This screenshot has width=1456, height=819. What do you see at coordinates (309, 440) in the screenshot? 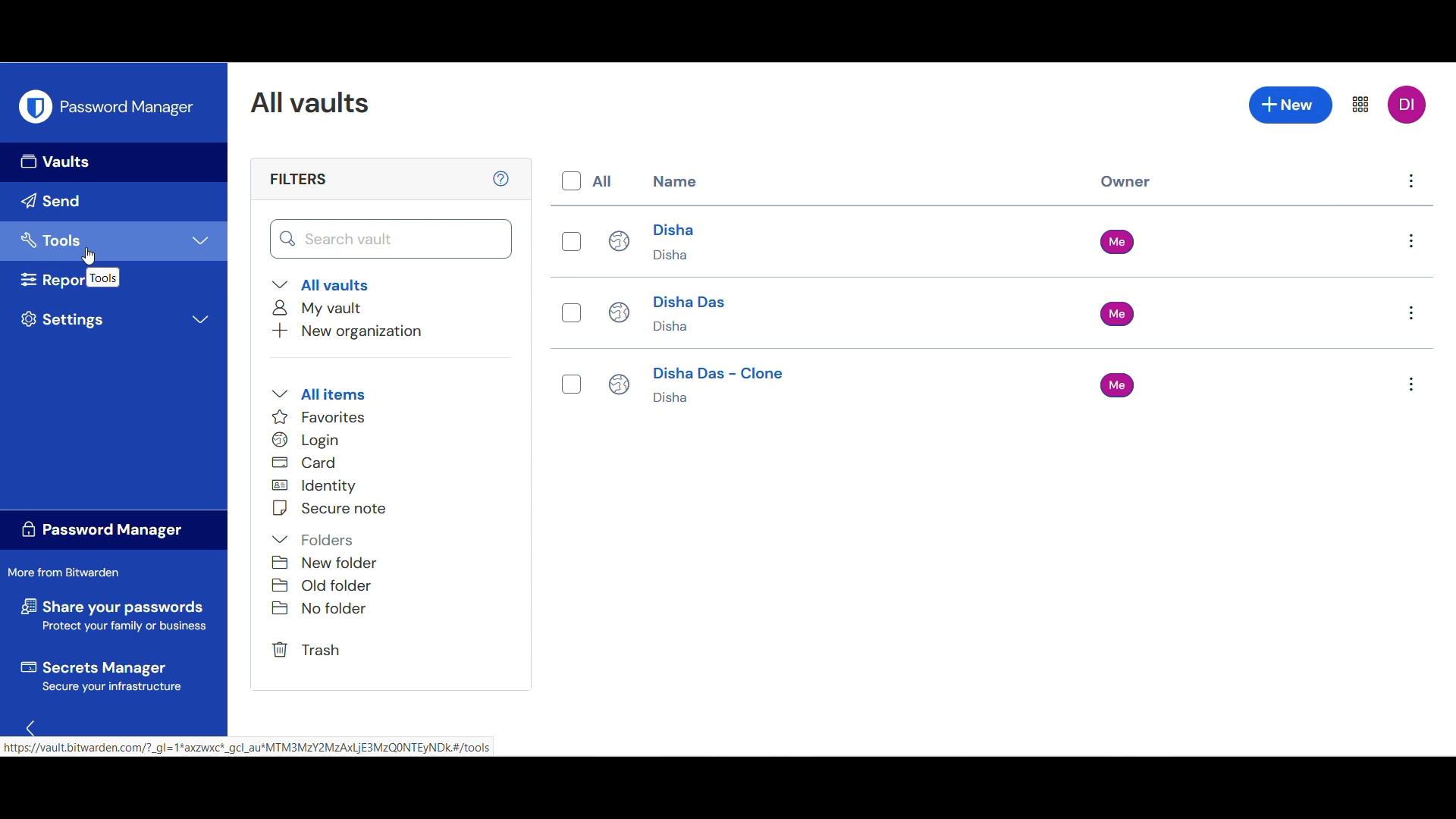
I see `Login` at bounding box center [309, 440].